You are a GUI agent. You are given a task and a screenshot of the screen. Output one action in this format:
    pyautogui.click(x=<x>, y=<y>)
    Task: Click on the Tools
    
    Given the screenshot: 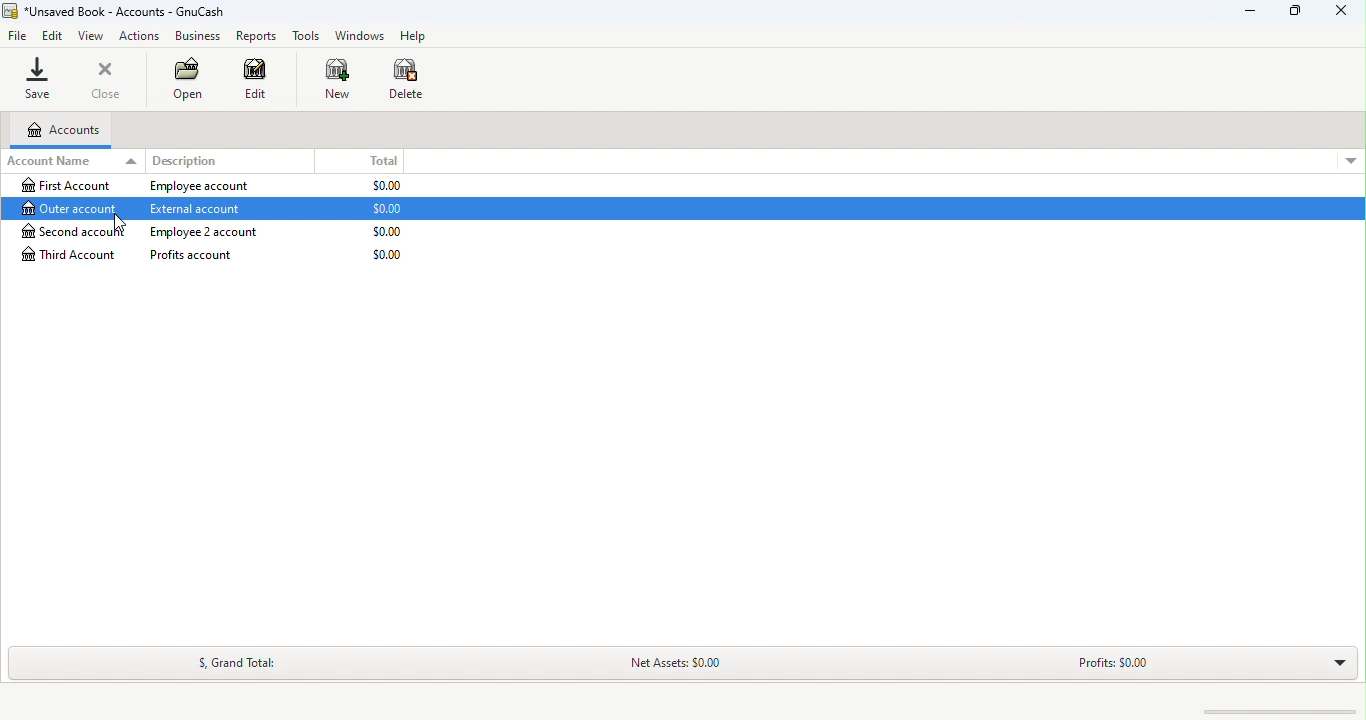 What is the action you would take?
    pyautogui.click(x=305, y=35)
    